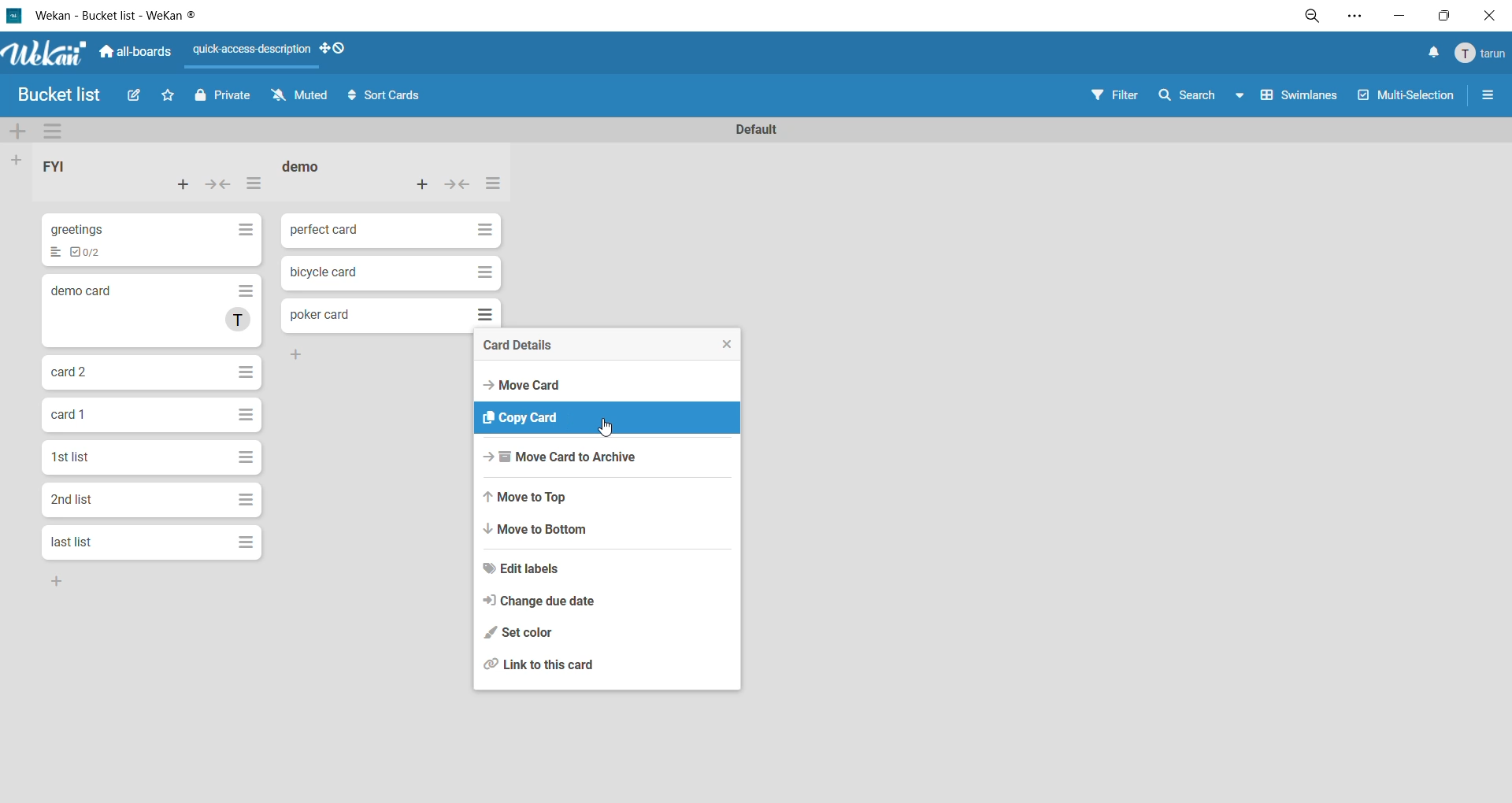 The height and width of the screenshot is (803, 1512). Describe the element at coordinates (254, 55) in the screenshot. I see `quick access description` at that location.